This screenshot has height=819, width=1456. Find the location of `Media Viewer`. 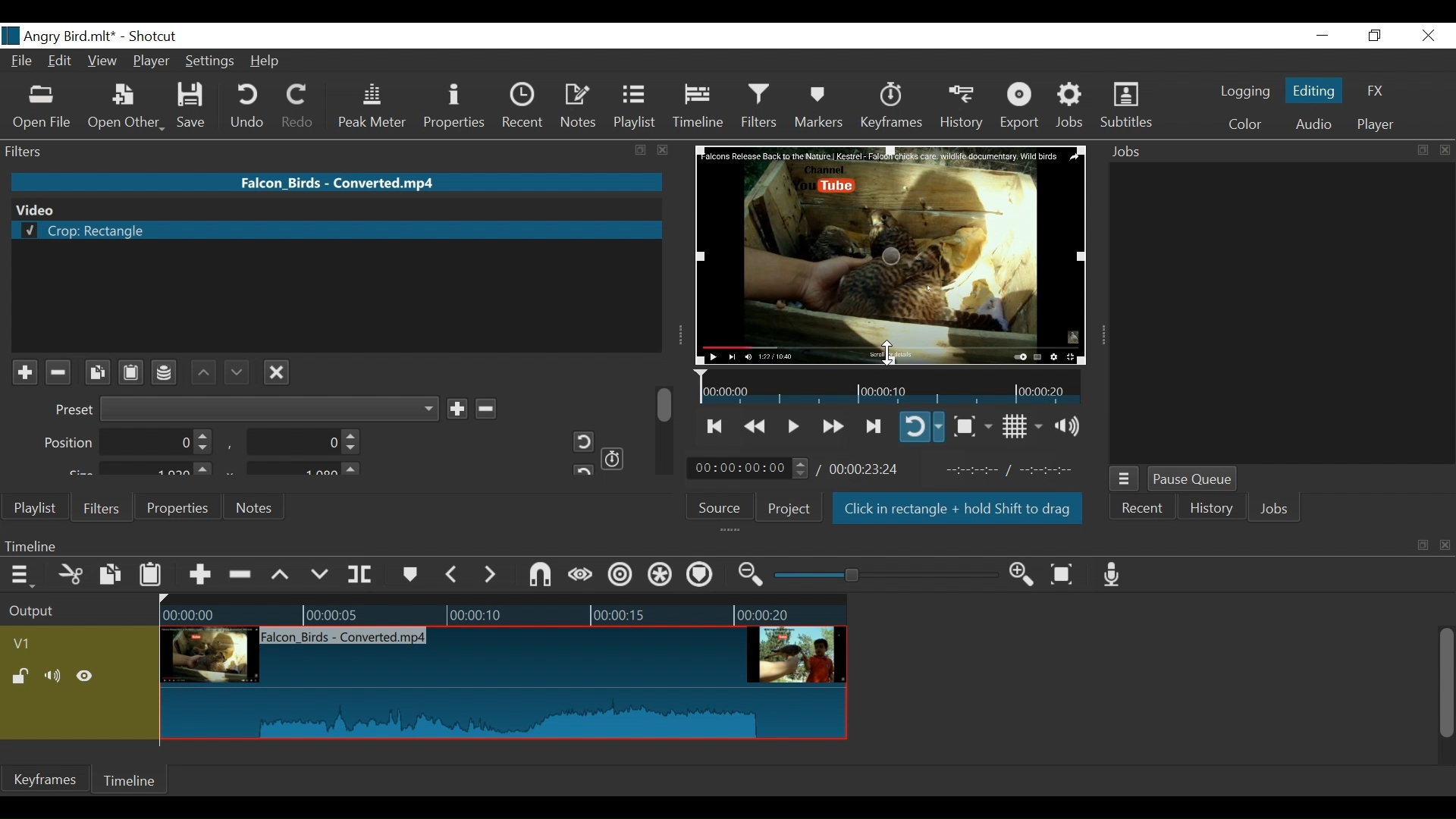

Media Viewer is located at coordinates (891, 254).